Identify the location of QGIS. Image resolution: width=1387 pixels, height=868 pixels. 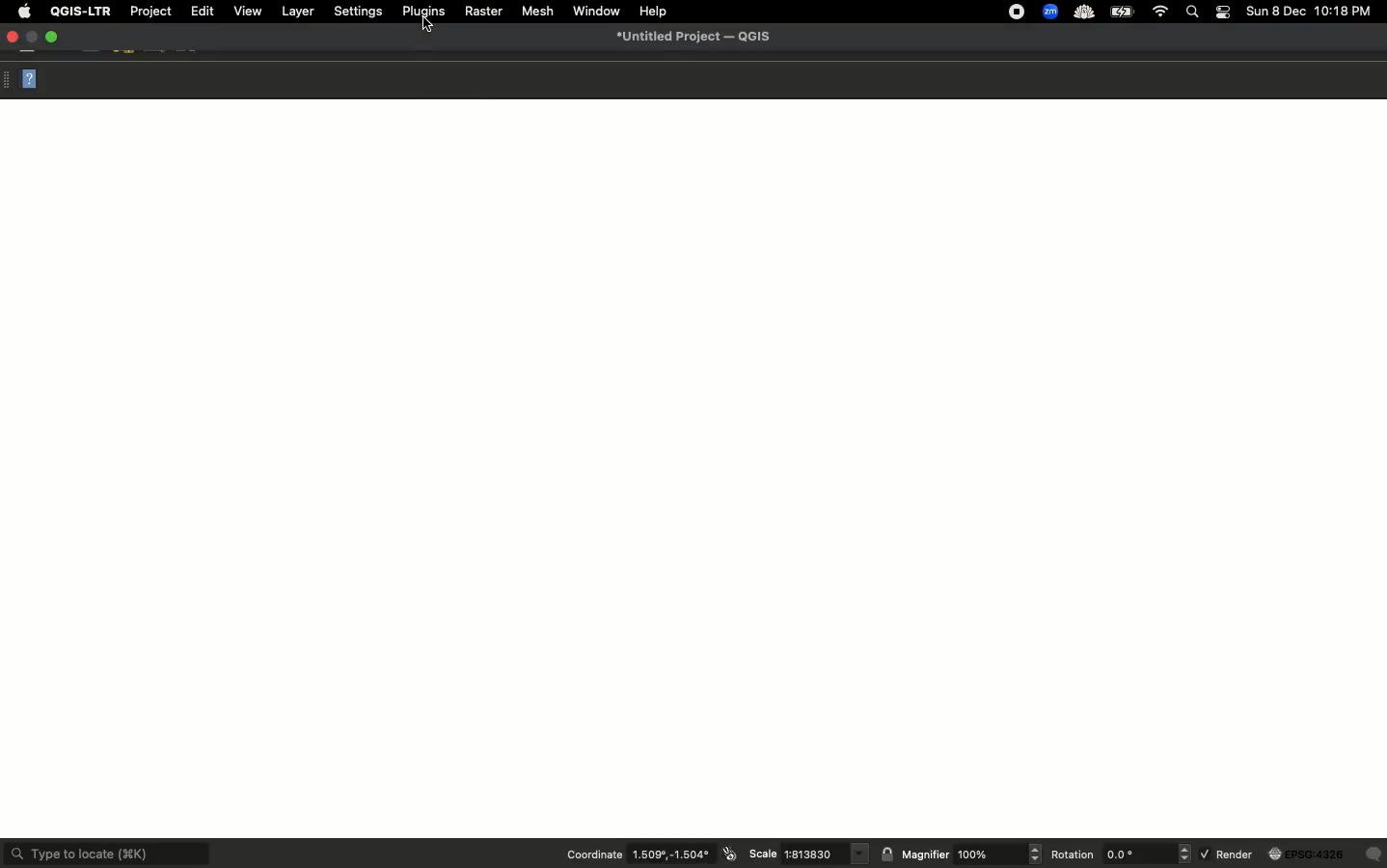
(81, 13).